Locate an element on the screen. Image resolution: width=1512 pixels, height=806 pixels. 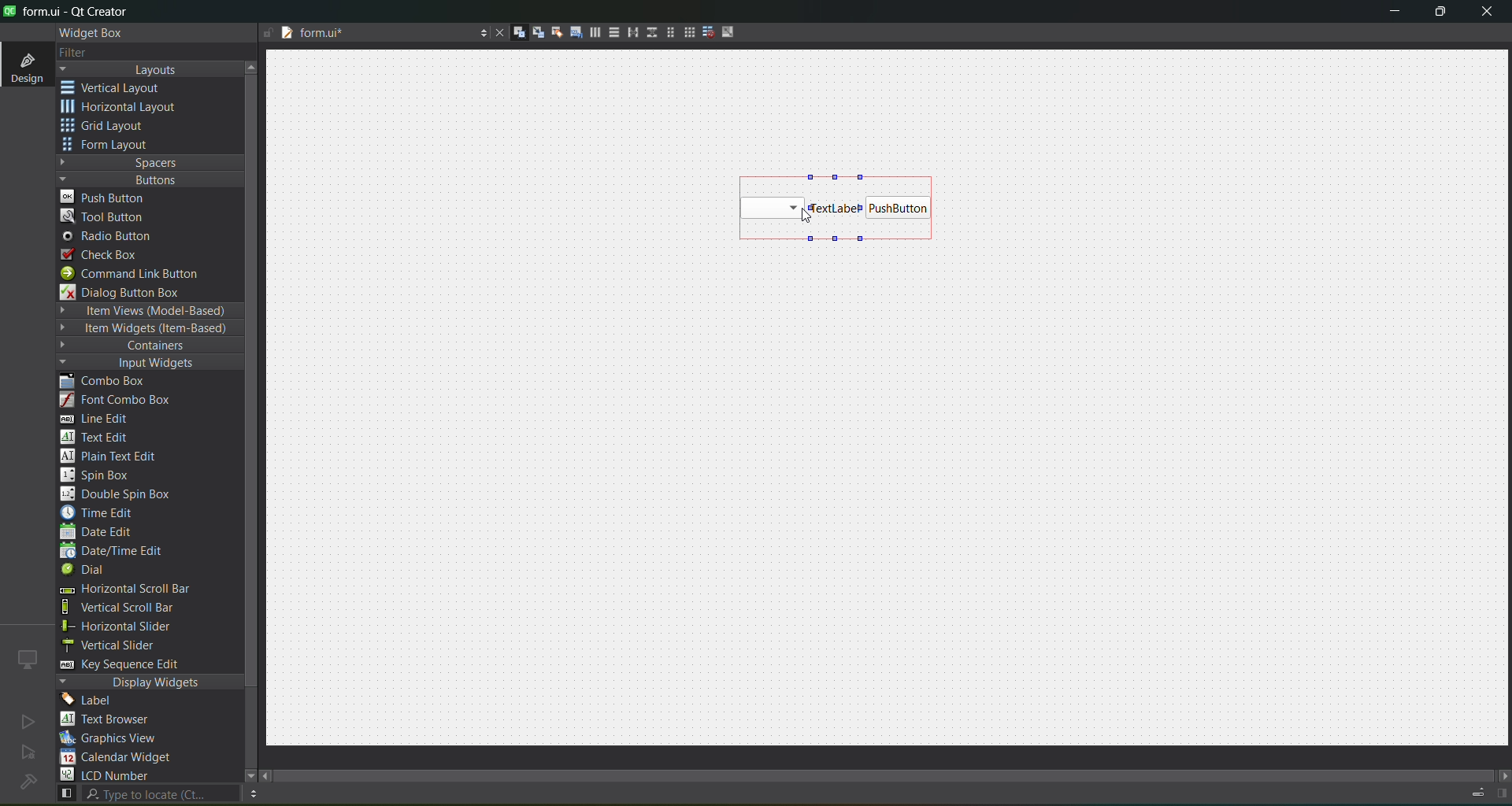
layout vertically is located at coordinates (610, 31).